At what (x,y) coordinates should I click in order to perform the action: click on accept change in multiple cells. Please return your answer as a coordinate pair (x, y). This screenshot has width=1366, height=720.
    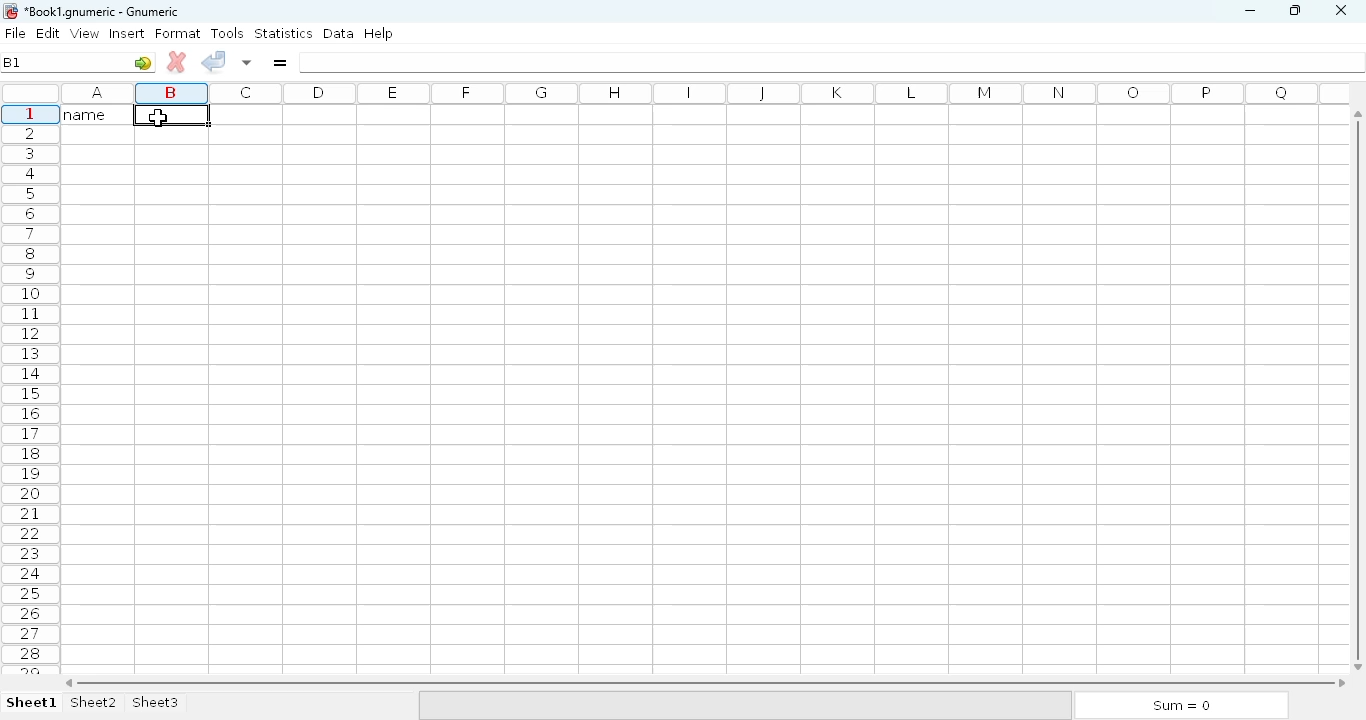
    Looking at the image, I should click on (247, 62).